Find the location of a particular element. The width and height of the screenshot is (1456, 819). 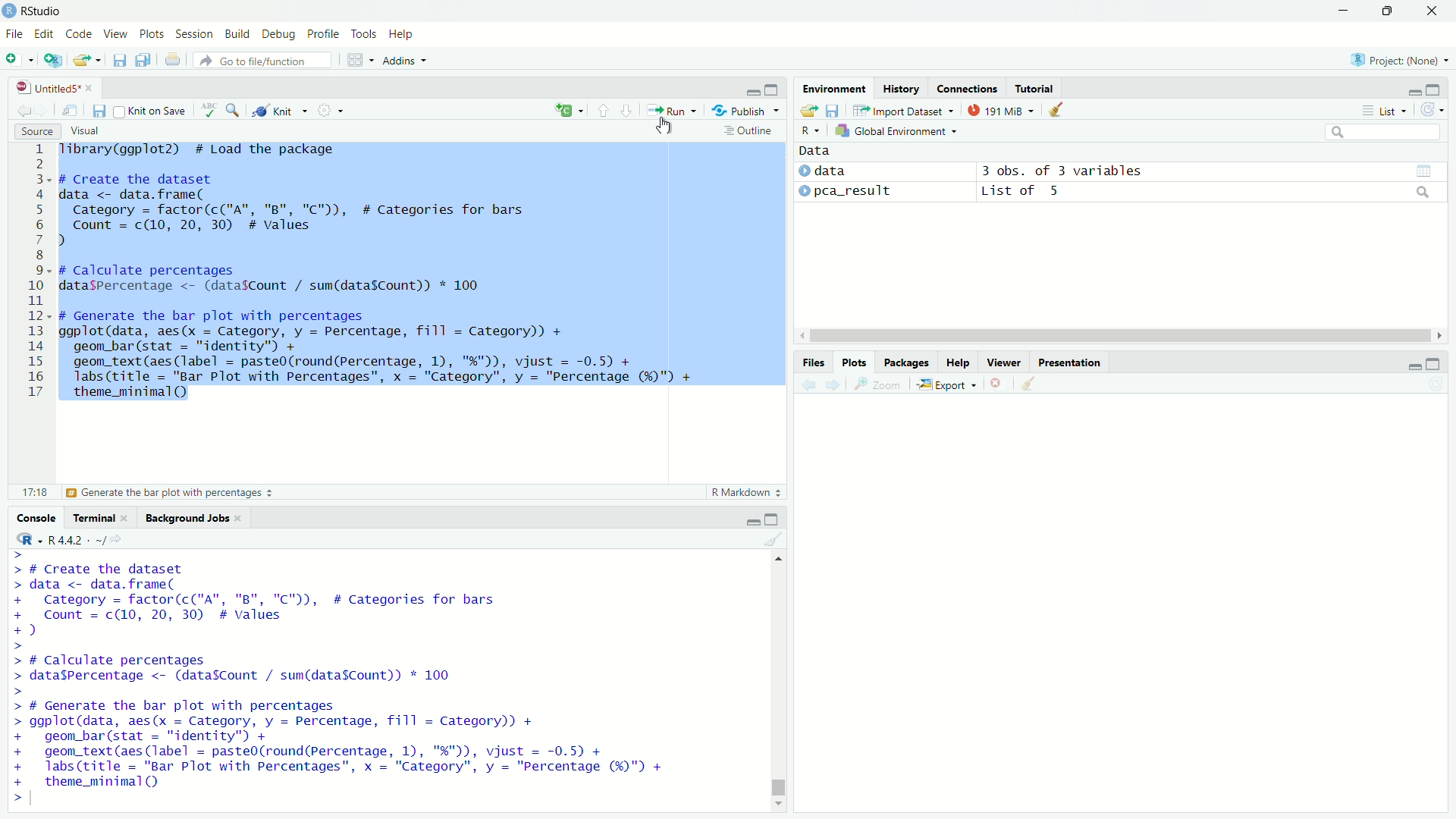

export is located at coordinates (947, 383).